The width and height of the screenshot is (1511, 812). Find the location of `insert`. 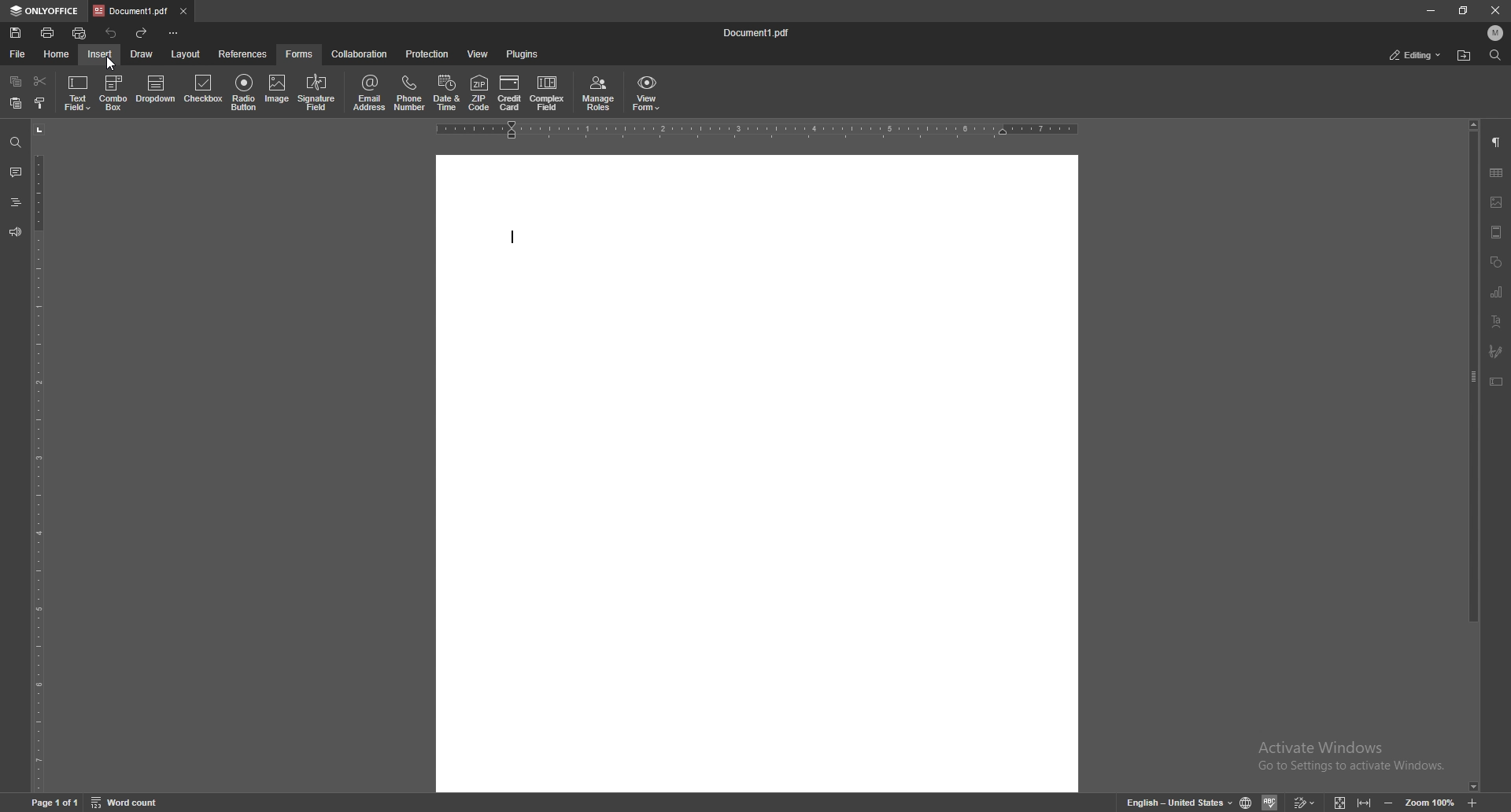

insert is located at coordinates (102, 54).